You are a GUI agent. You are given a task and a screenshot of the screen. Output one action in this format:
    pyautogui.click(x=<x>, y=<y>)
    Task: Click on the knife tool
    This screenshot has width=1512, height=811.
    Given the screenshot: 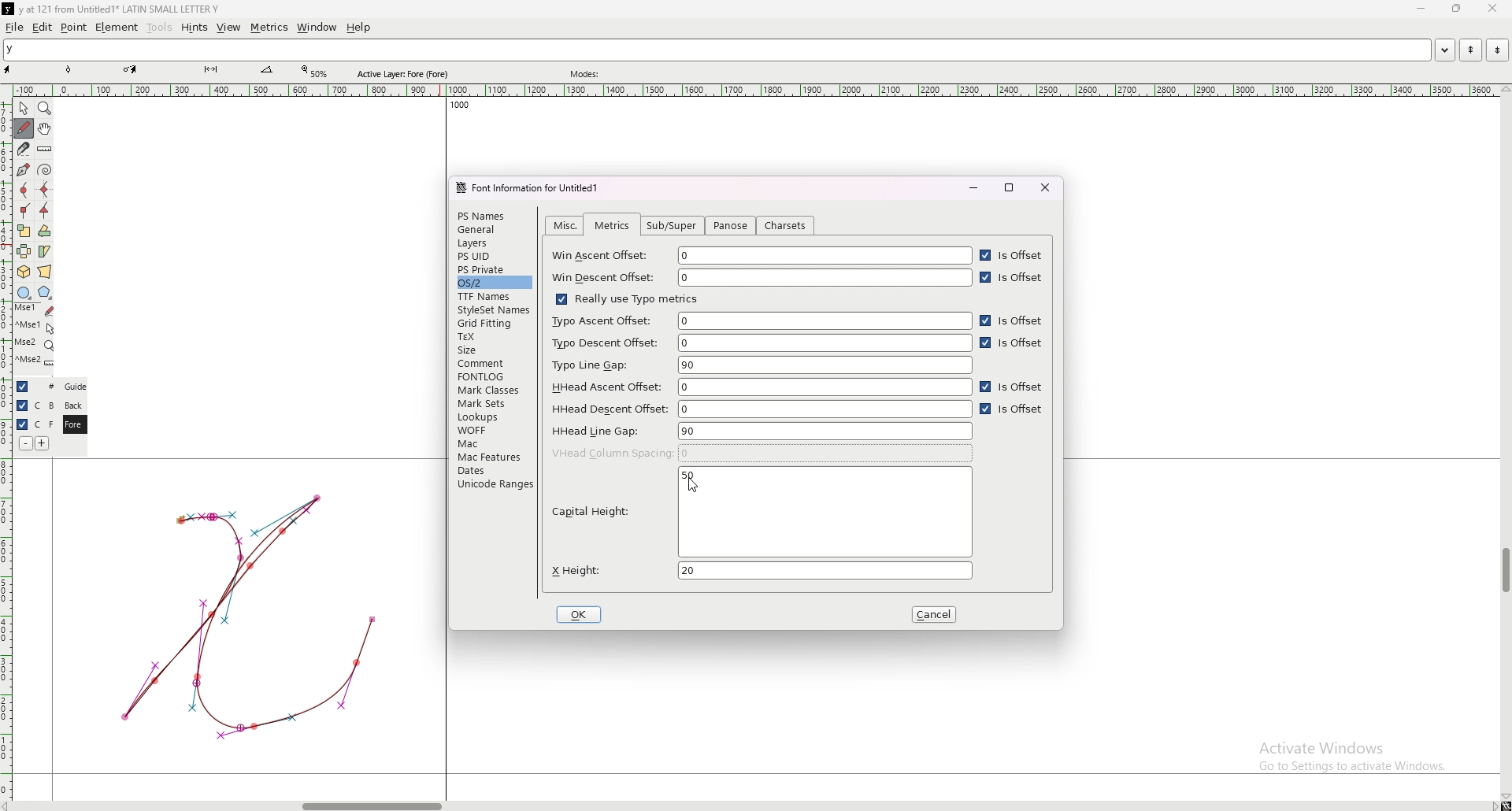 What is the action you would take?
    pyautogui.click(x=209, y=70)
    